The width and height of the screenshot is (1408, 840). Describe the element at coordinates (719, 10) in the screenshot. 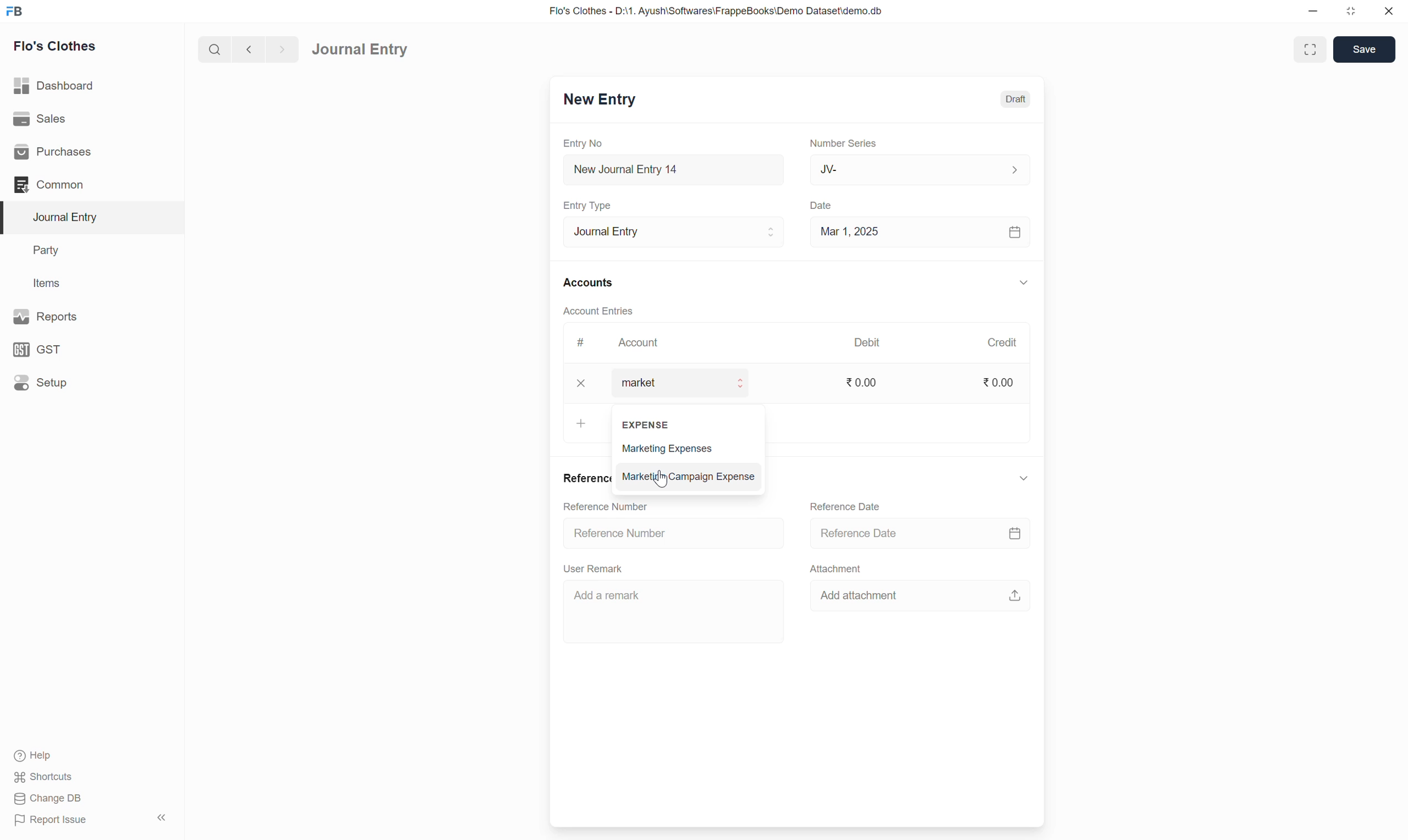

I see `Flo's Clothes - D:\1. Ayush\Softwares\FrappeBooks\Demo Dataset\demo.db` at that location.